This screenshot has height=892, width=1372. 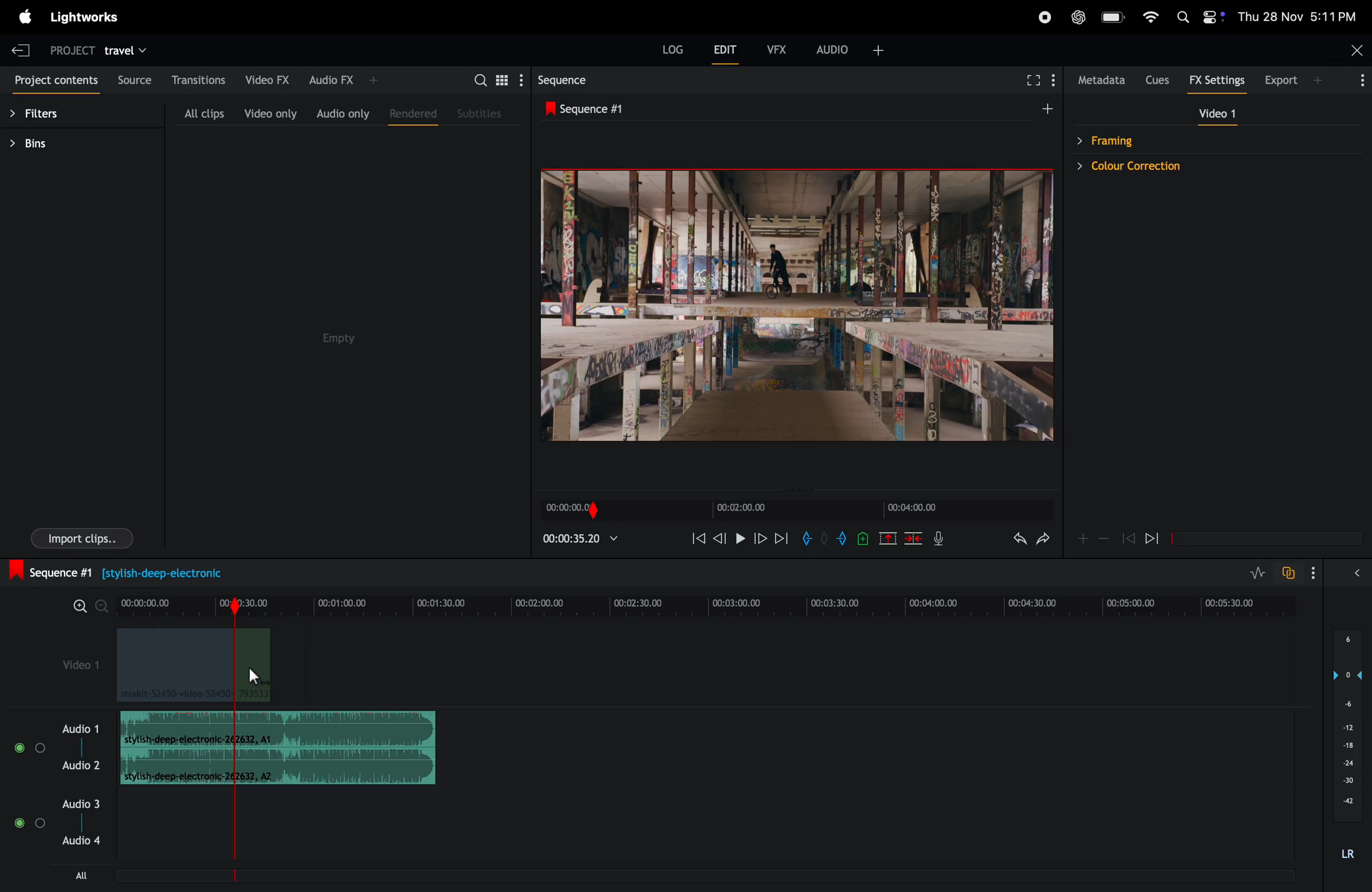 What do you see at coordinates (41, 823) in the screenshot?
I see `Toggle` at bounding box center [41, 823].